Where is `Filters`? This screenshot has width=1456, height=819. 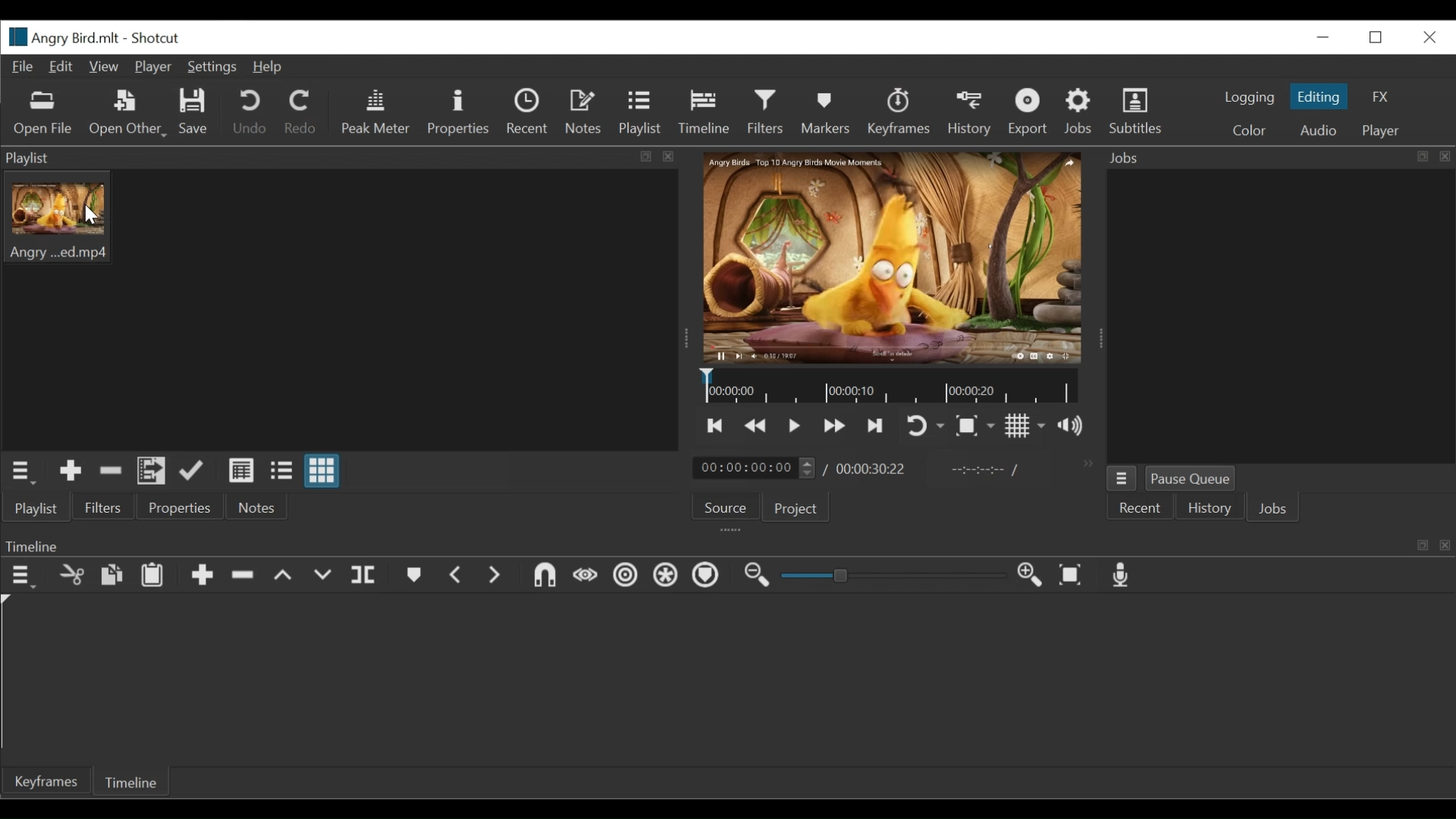
Filters is located at coordinates (765, 112).